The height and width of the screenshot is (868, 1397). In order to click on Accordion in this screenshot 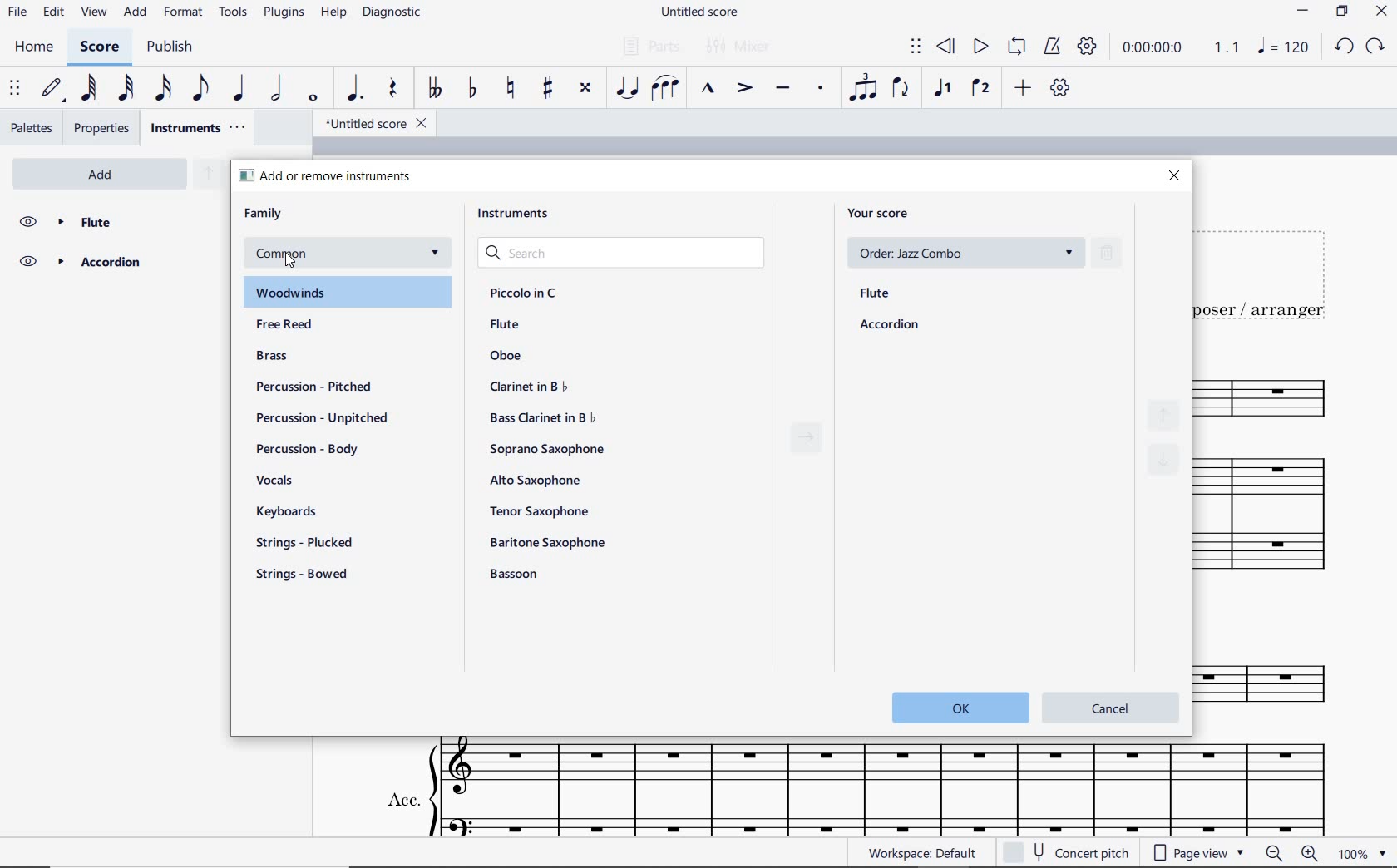, I will do `click(114, 263)`.